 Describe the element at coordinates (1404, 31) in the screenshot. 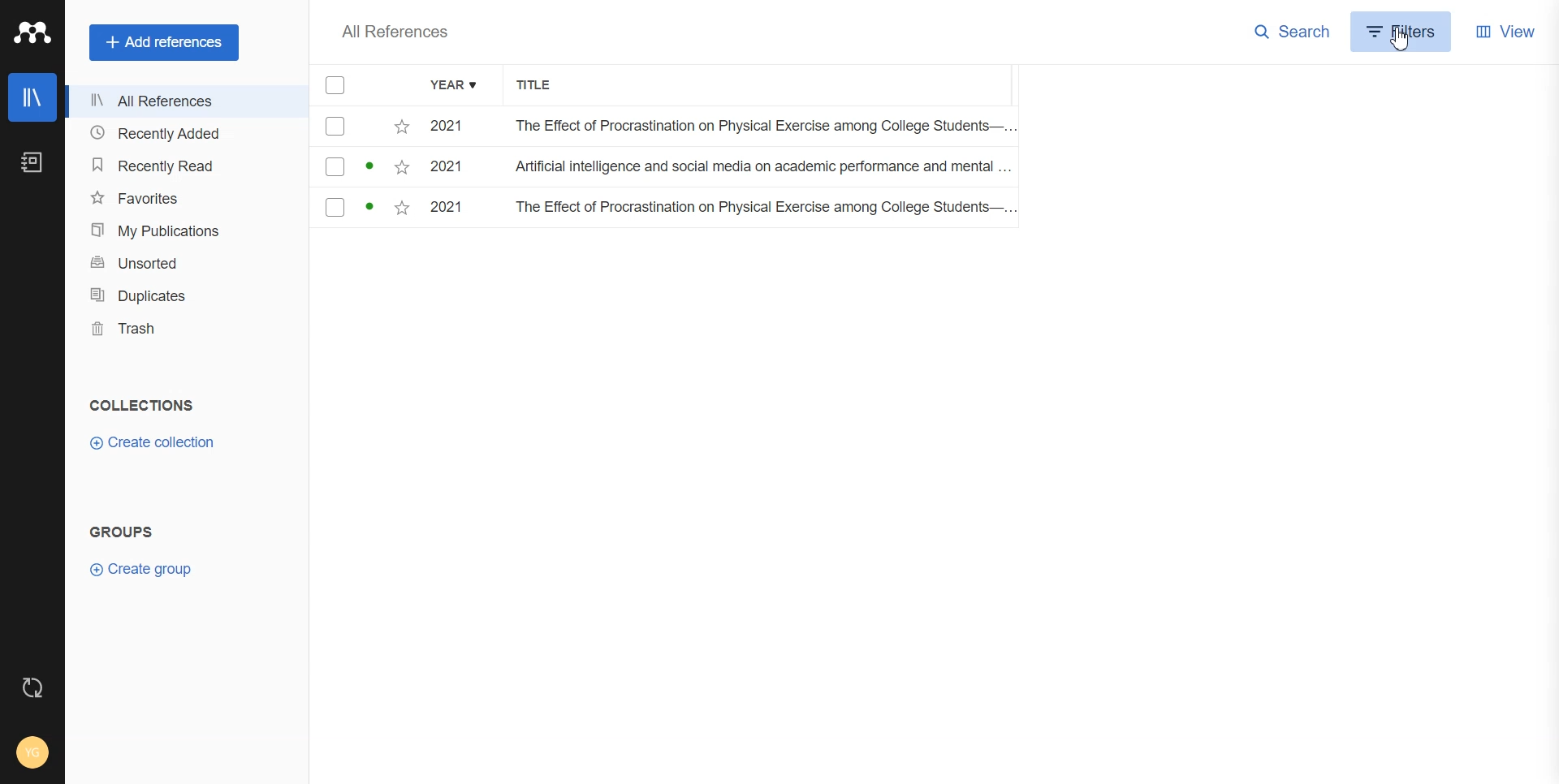

I see `Filters` at that location.